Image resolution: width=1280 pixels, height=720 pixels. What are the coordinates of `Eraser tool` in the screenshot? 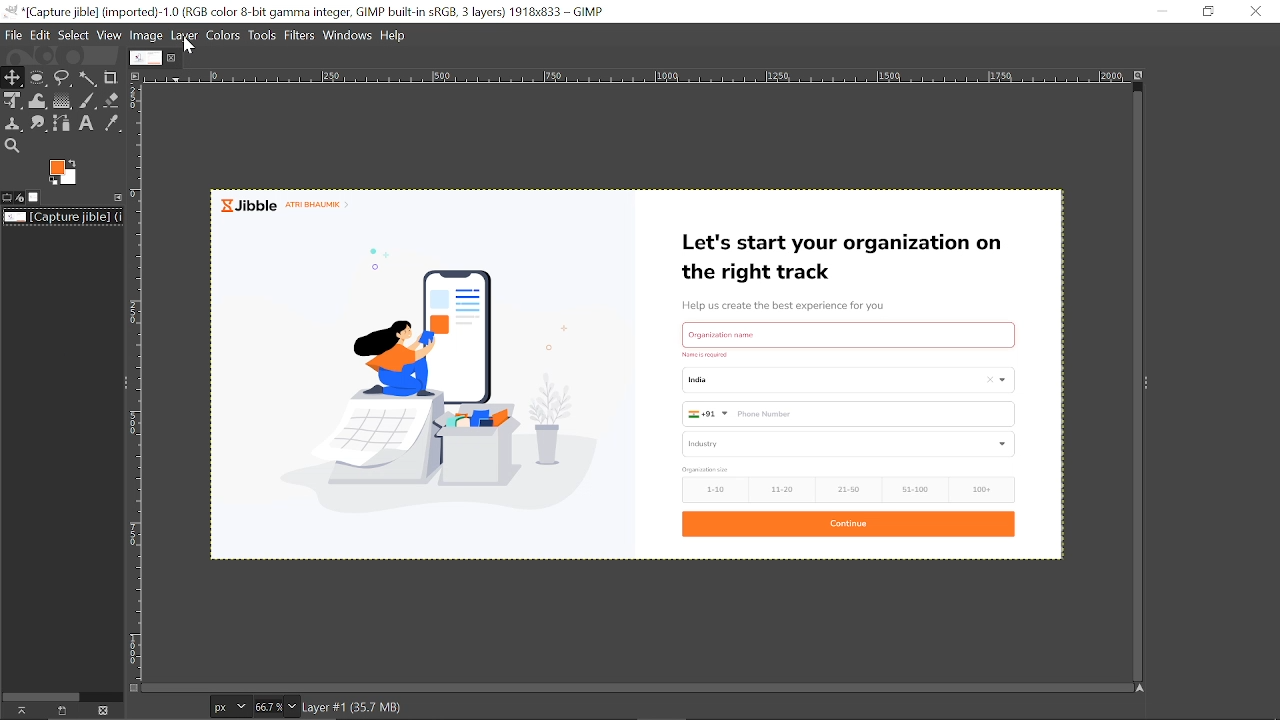 It's located at (112, 99).